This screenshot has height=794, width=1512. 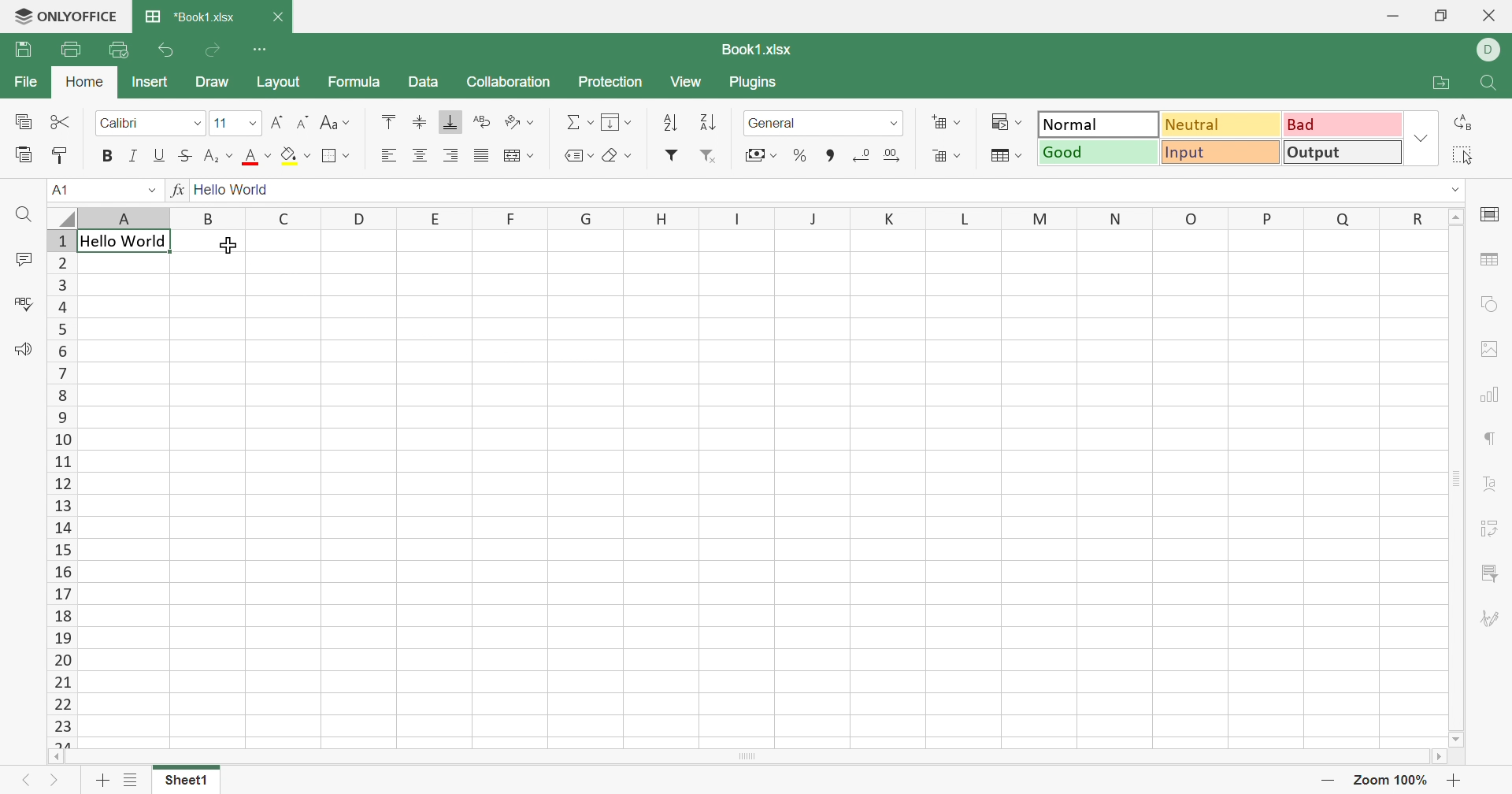 I want to click on Percent style, so click(x=801, y=154).